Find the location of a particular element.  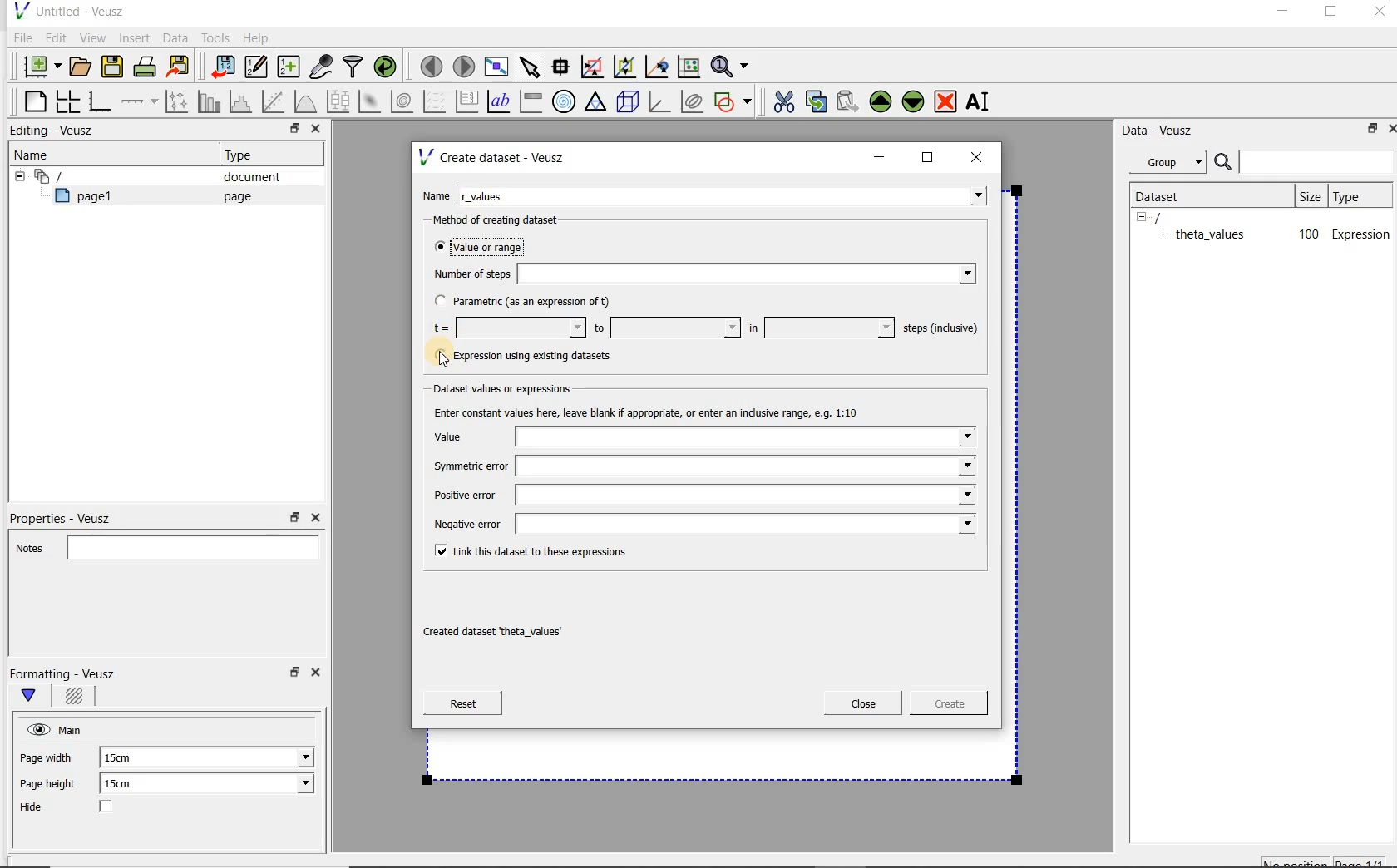

Group is located at coordinates (1172, 165).